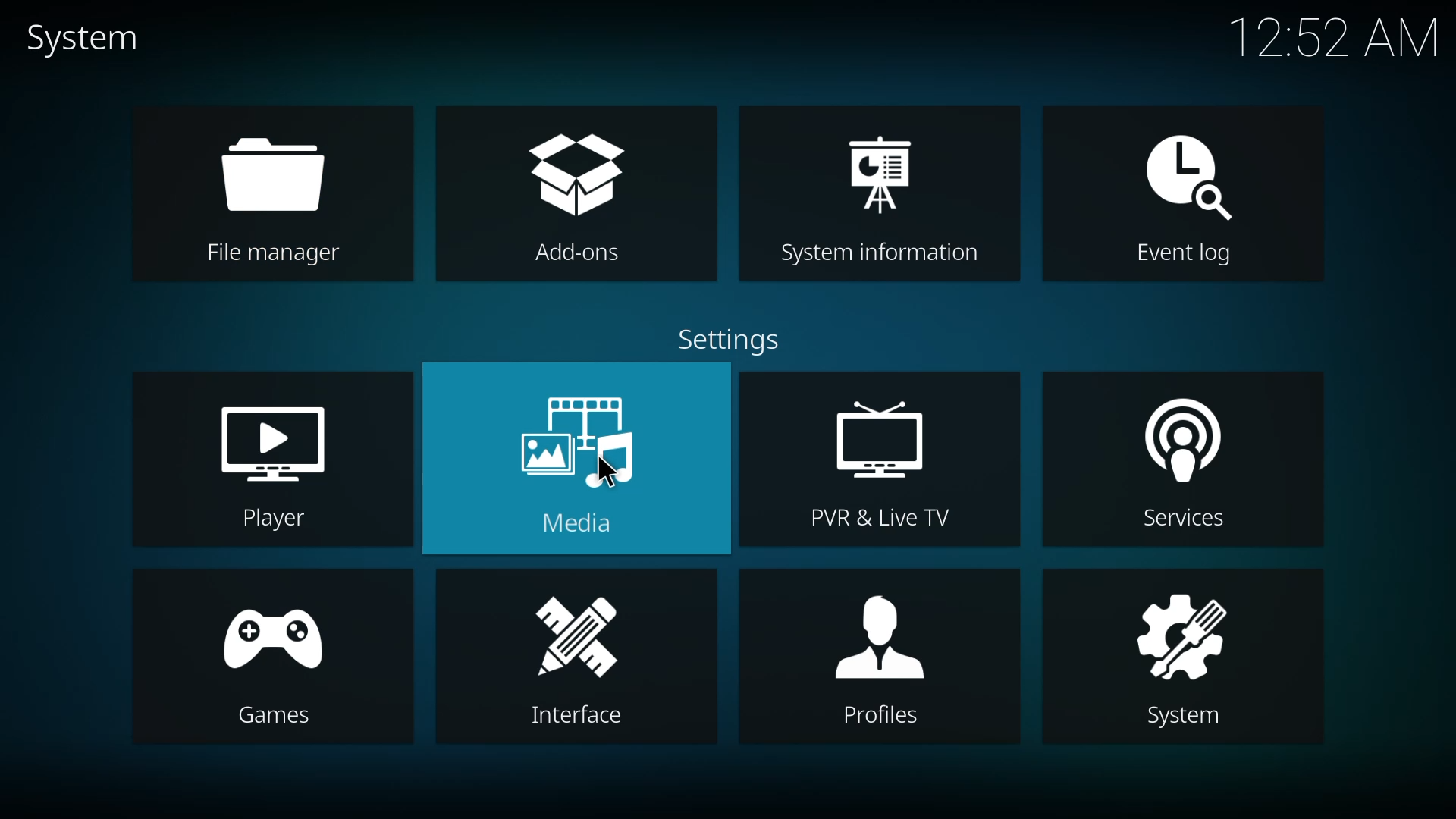 This screenshot has height=819, width=1456. I want to click on system, so click(91, 38).